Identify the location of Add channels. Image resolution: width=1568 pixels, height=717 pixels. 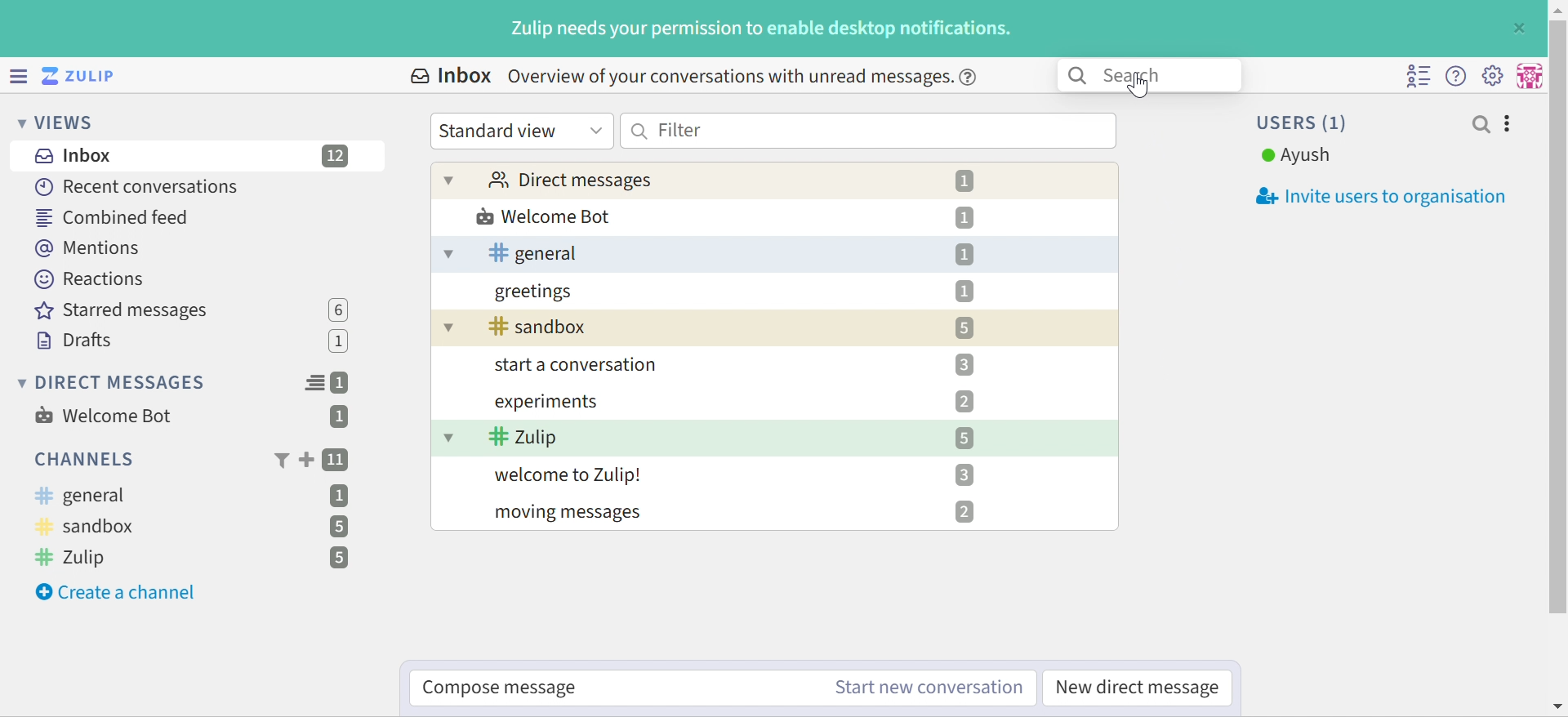
(305, 460).